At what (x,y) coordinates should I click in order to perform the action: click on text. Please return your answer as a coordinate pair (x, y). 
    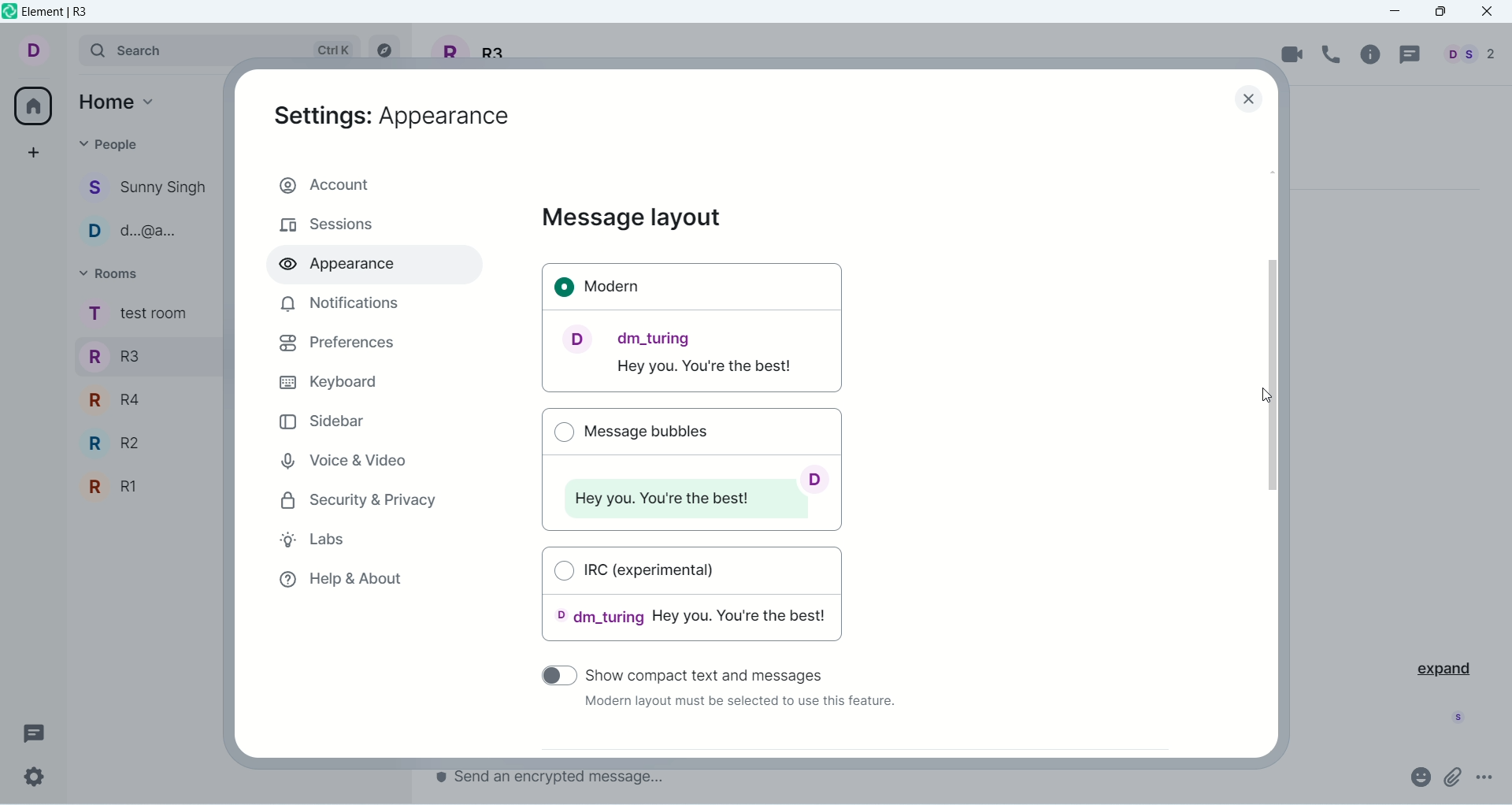
    Looking at the image, I should click on (738, 704).